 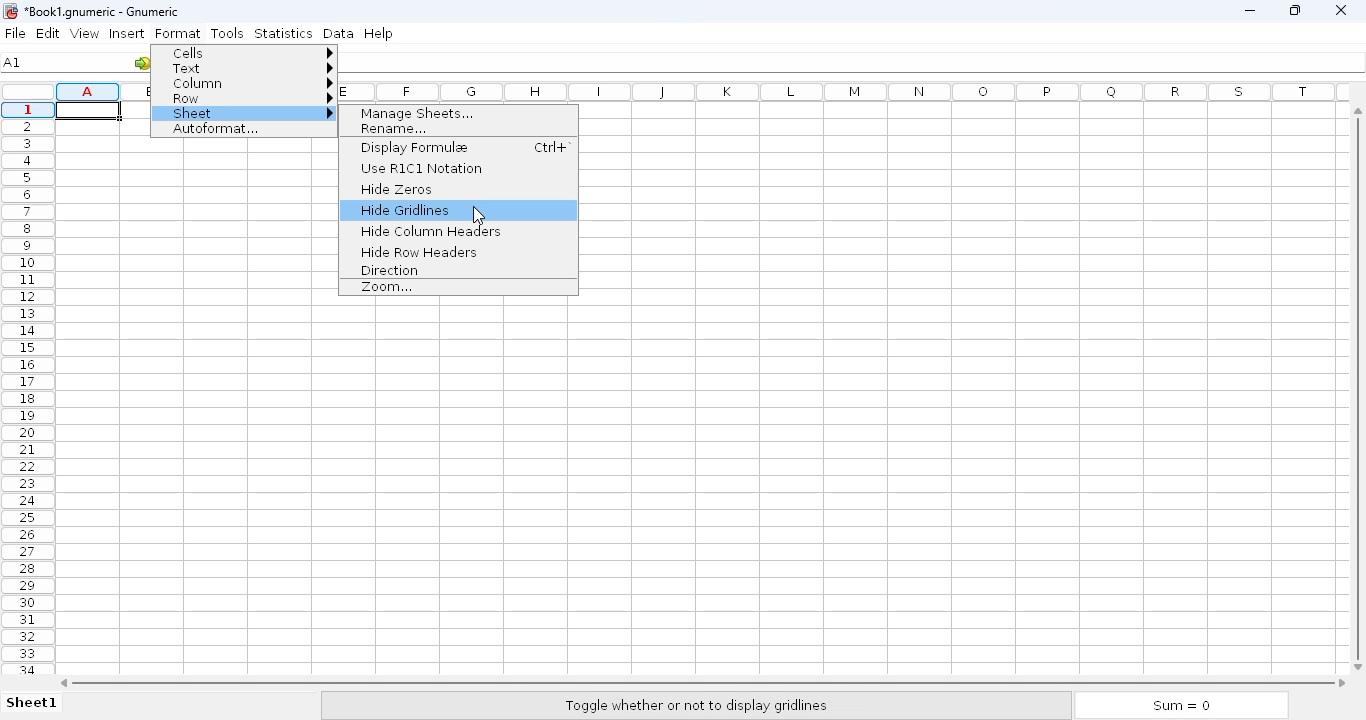 I want to click on *Book1.gnumeric - Gnumeric, so click(x=111, y=12).